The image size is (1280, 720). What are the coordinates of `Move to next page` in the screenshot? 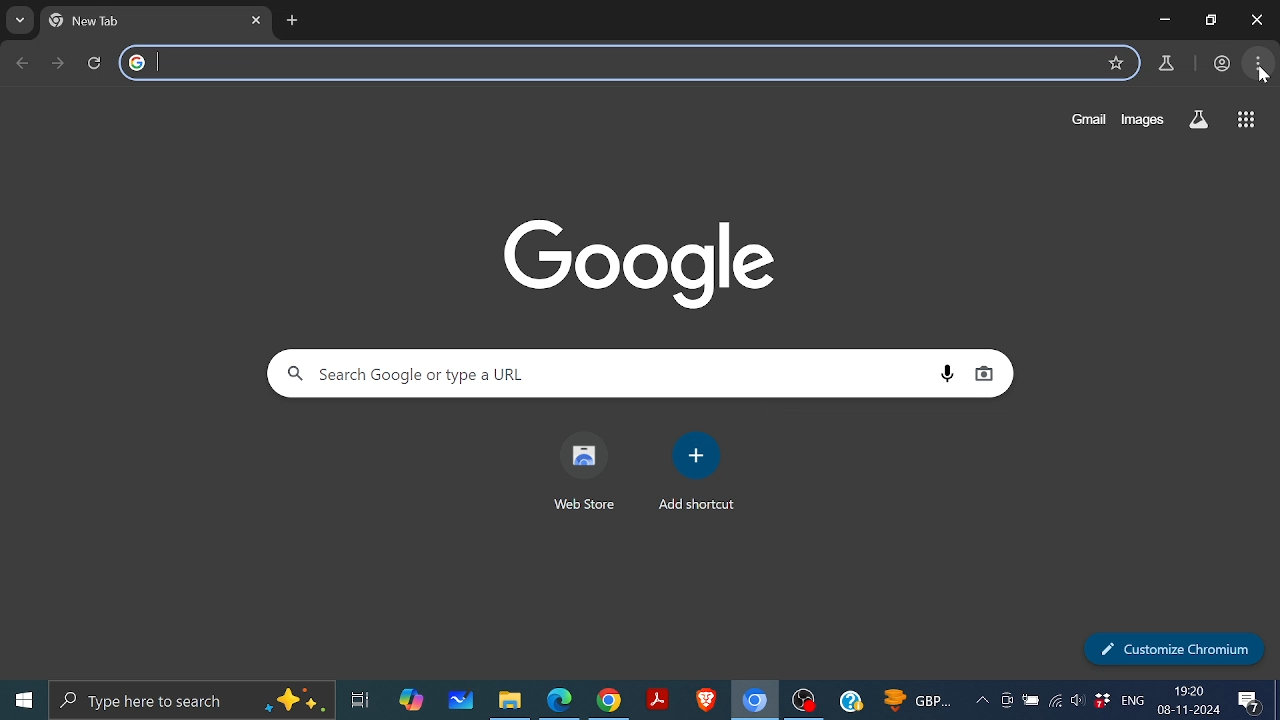 It's located at (59, 62).